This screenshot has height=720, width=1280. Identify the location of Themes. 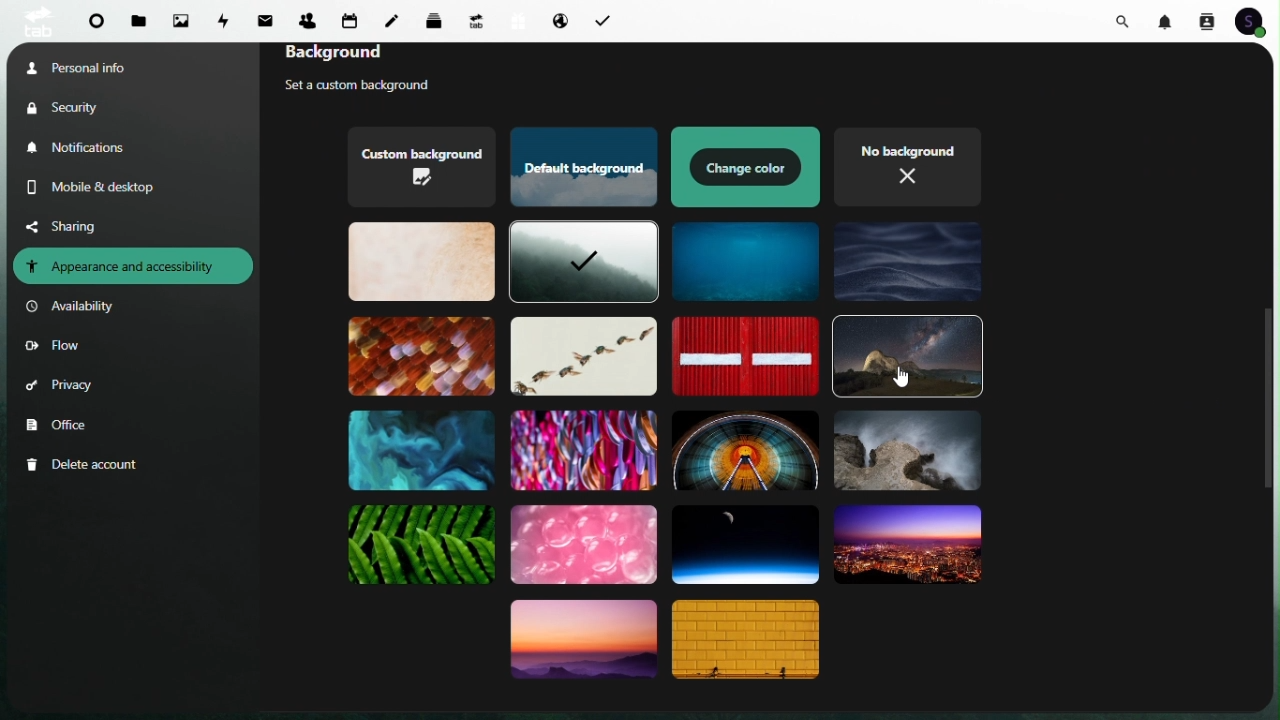
(582, 264).